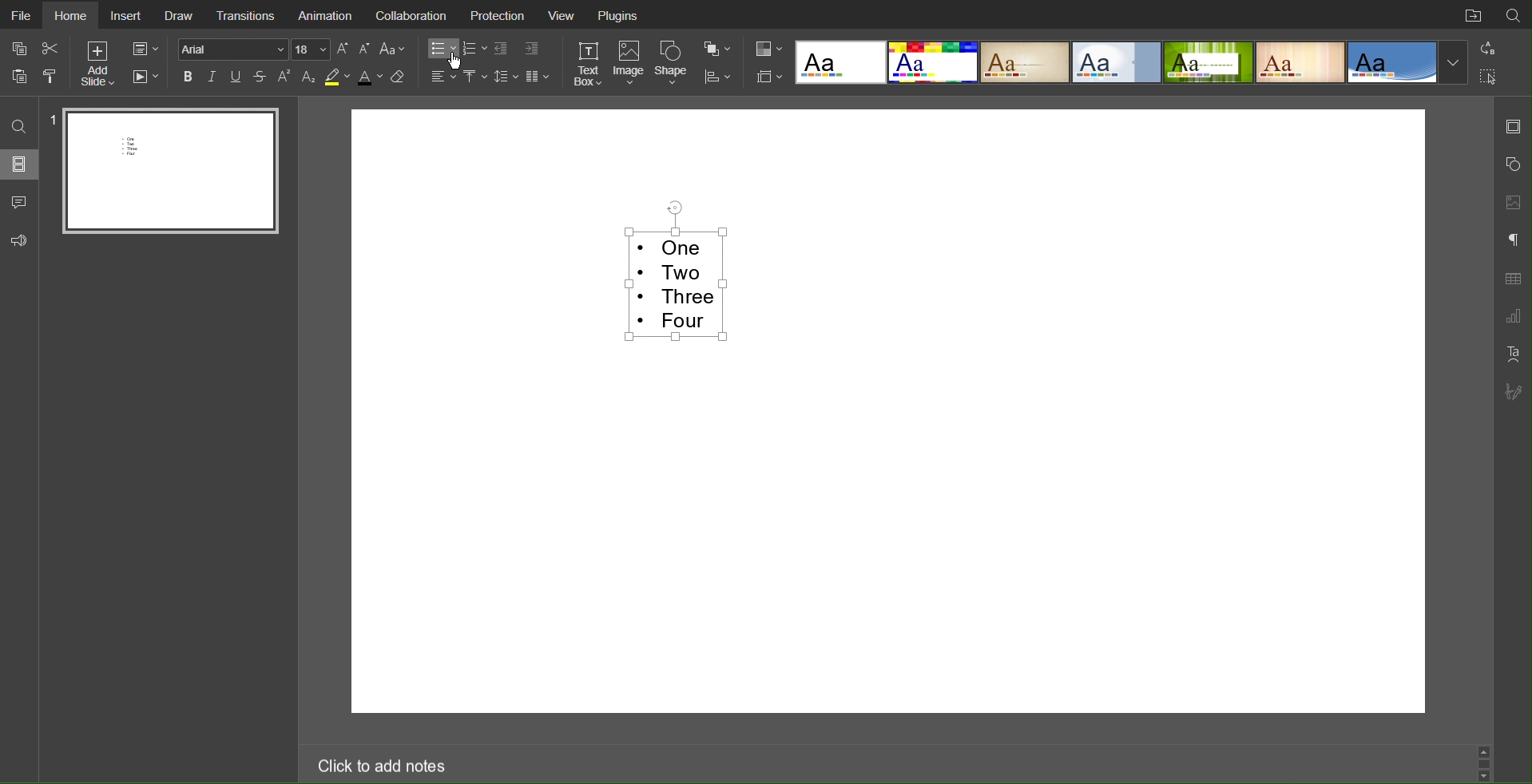  What do you see at coordinates (213, 77) in the screenshot?
I see `Italics` at bounding box center [213, 77].